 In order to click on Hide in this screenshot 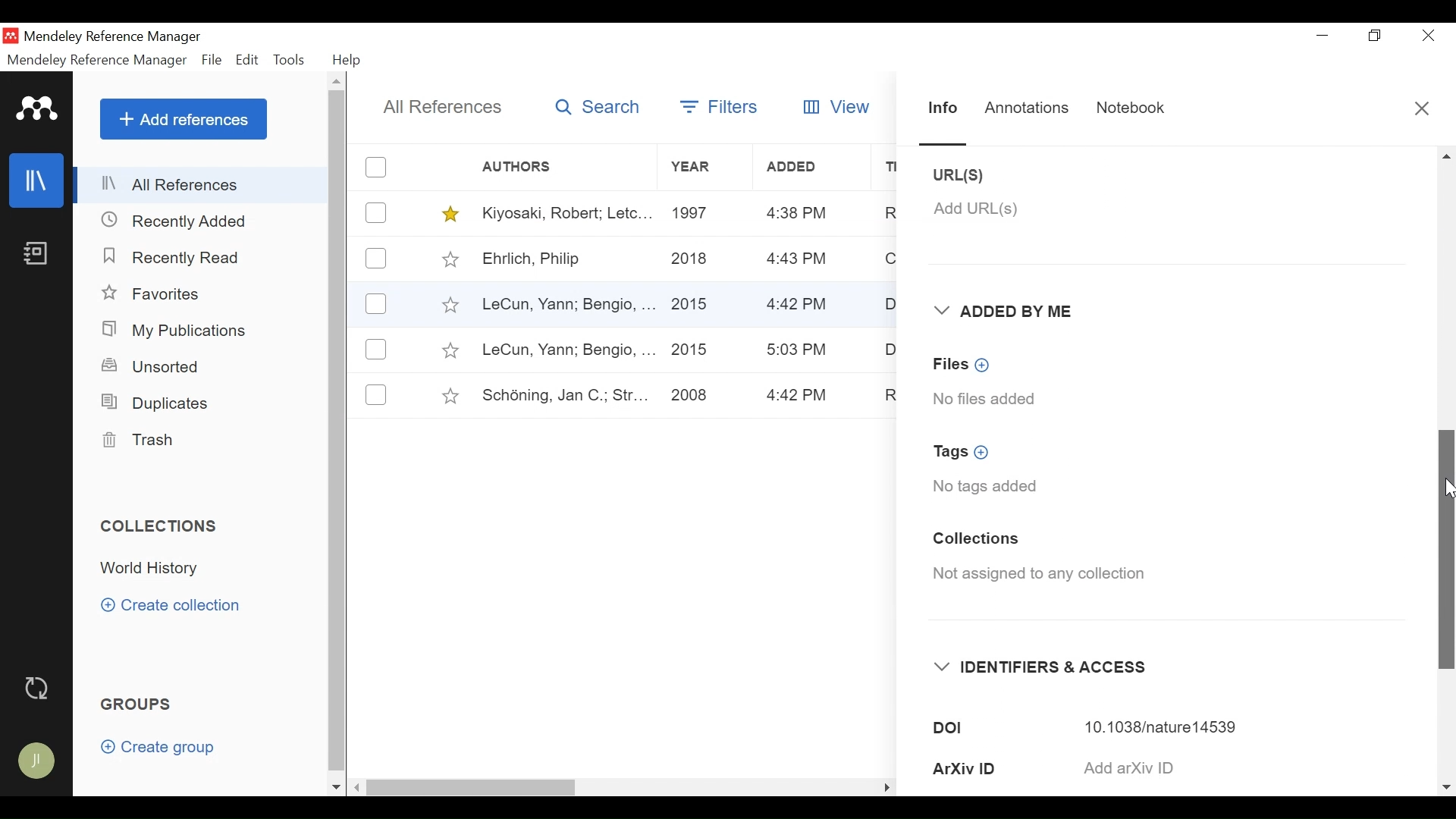, I will do `click(886, 784)`.